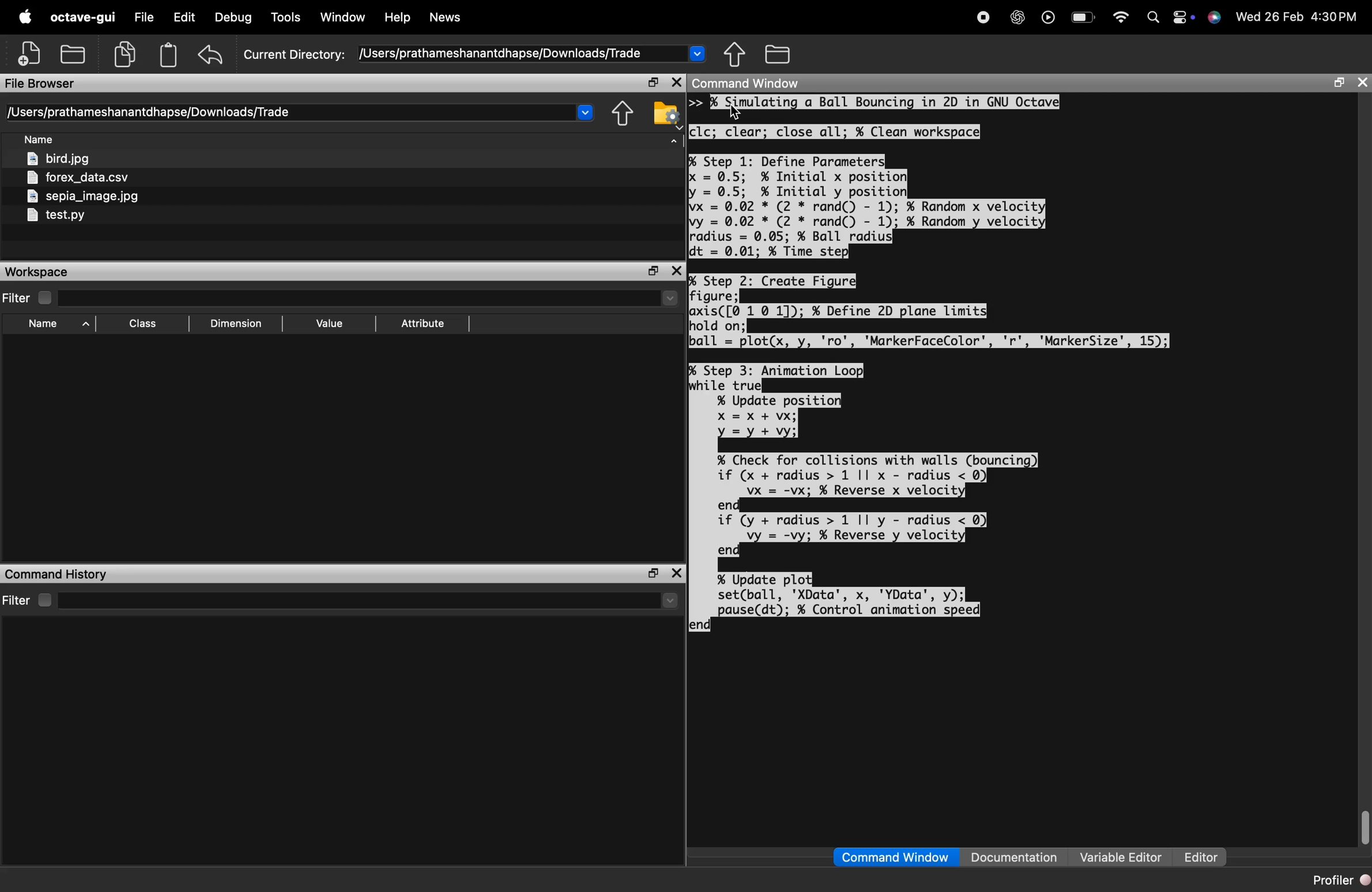  I want to click on window, so click(344, 17).